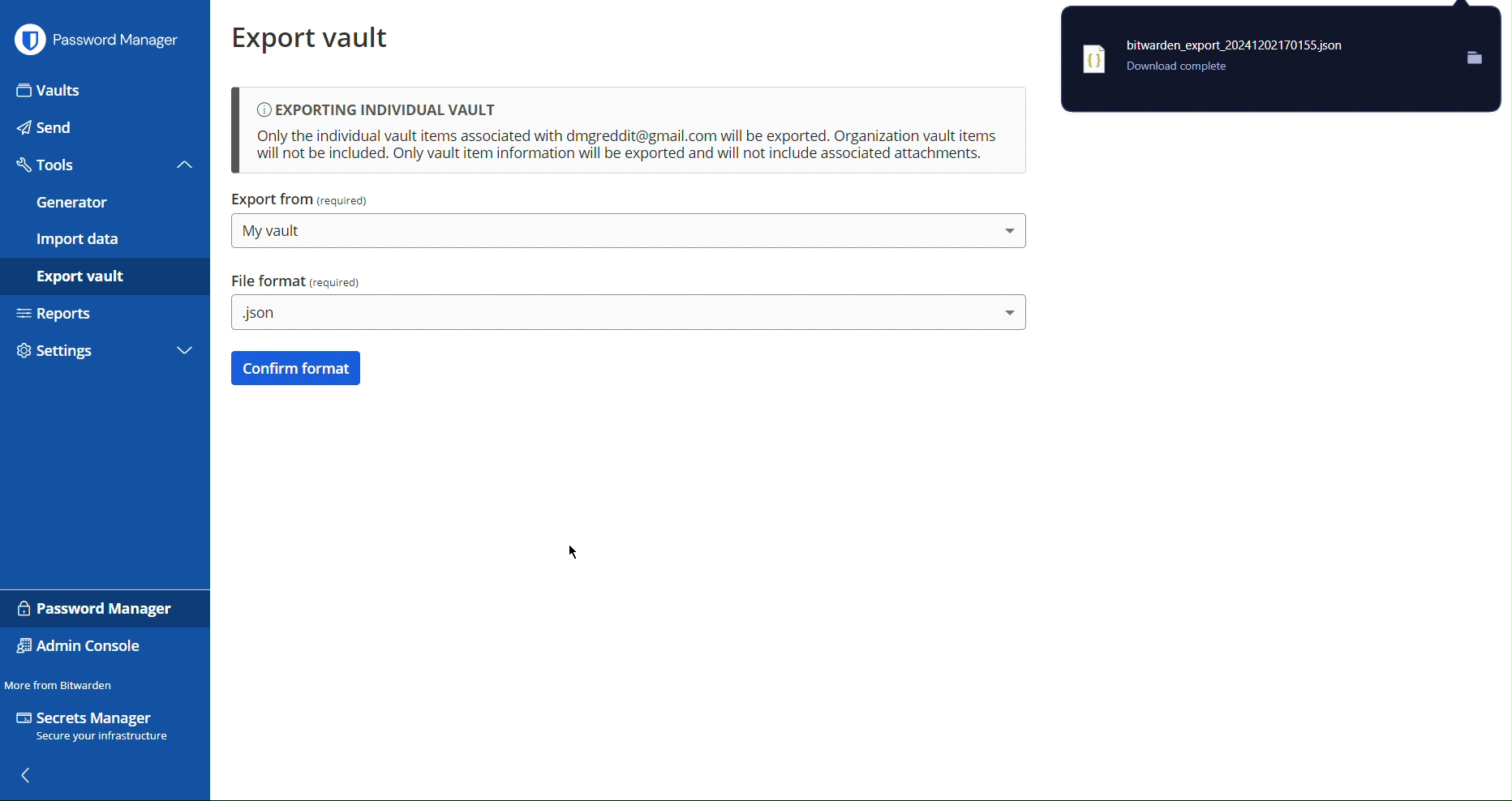 This screenshot has height=801, width=1512. I want to click on Import data, so click(105, 240).